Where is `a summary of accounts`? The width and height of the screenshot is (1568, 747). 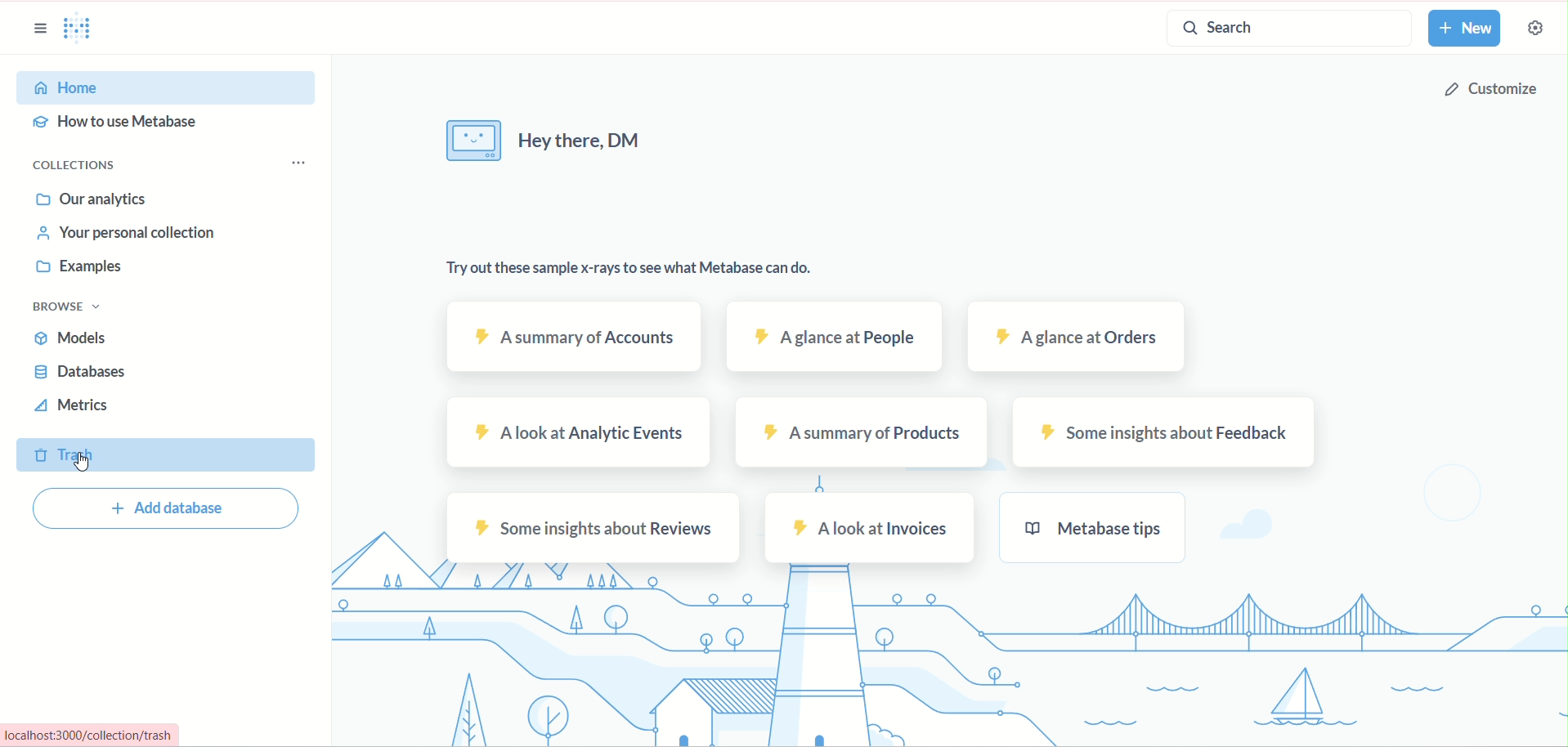 a summary of accounts is located at coordinates (562, 341).